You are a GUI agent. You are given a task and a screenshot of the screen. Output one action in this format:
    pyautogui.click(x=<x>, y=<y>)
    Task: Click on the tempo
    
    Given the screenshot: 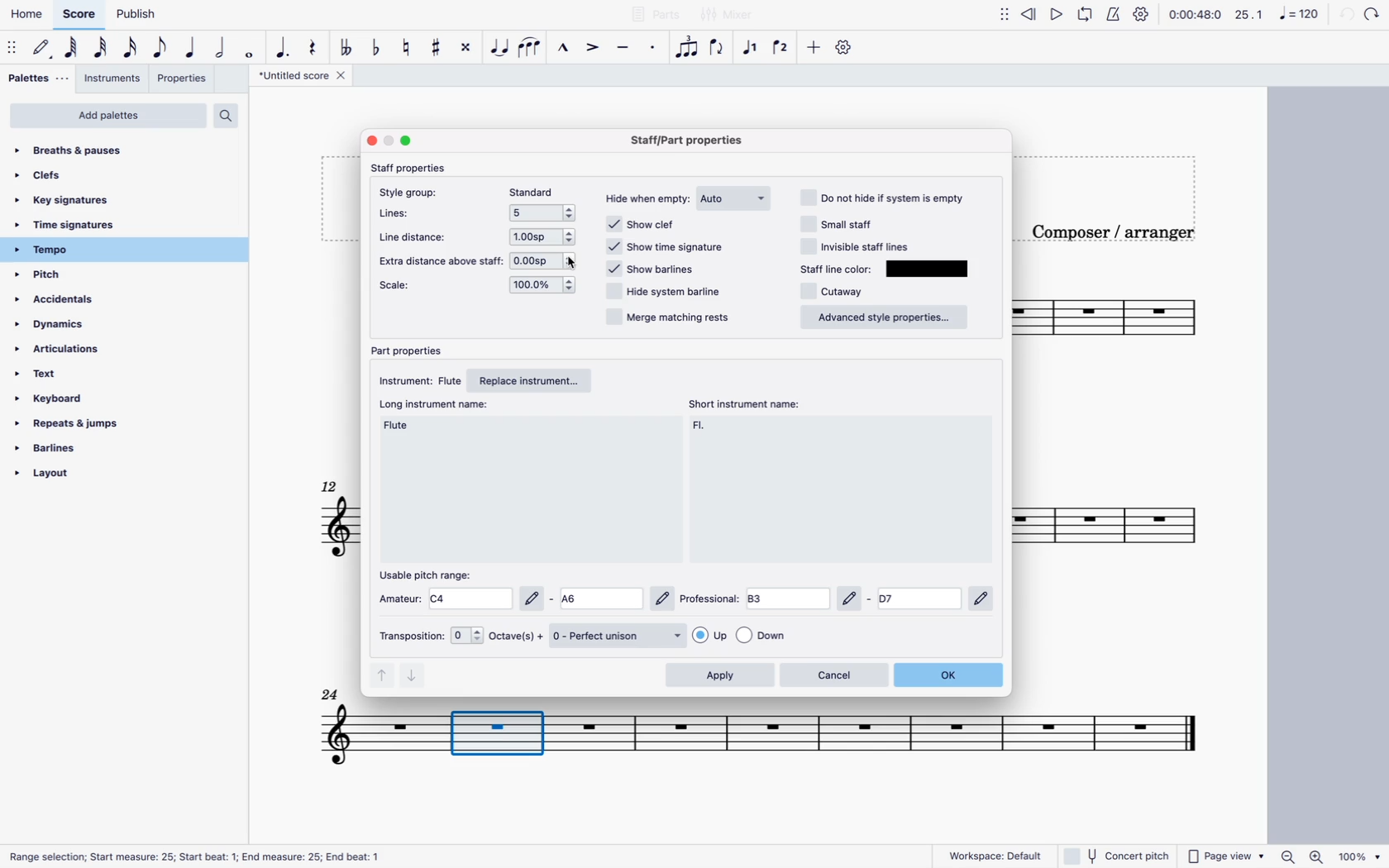 What is the action you would take?
    pyautogui.click(x=62, y=250)
    